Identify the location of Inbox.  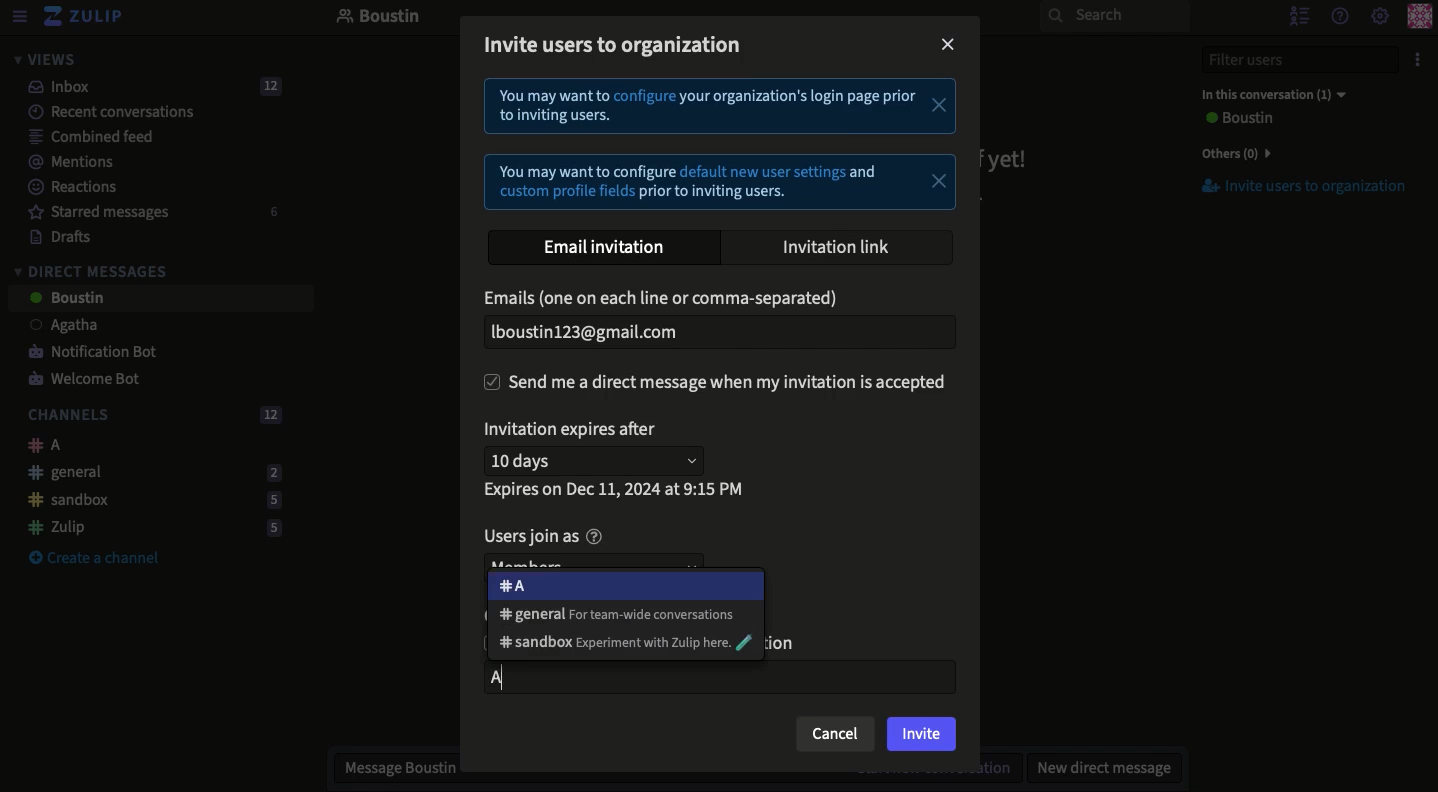
(146, 87).